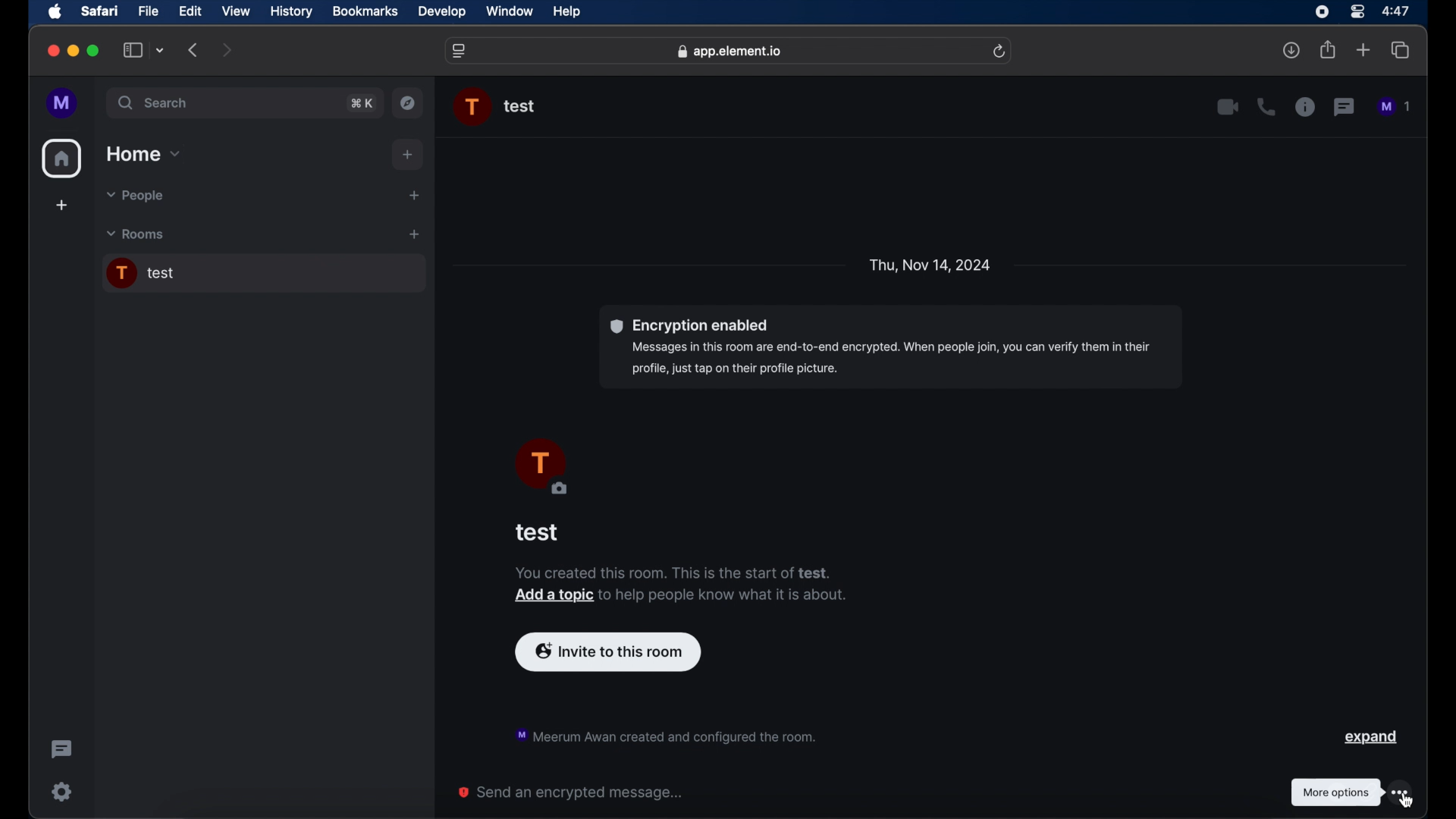 This screenshot has height=819, width=1456. I want to click on invite to this room, so click(608, 650).